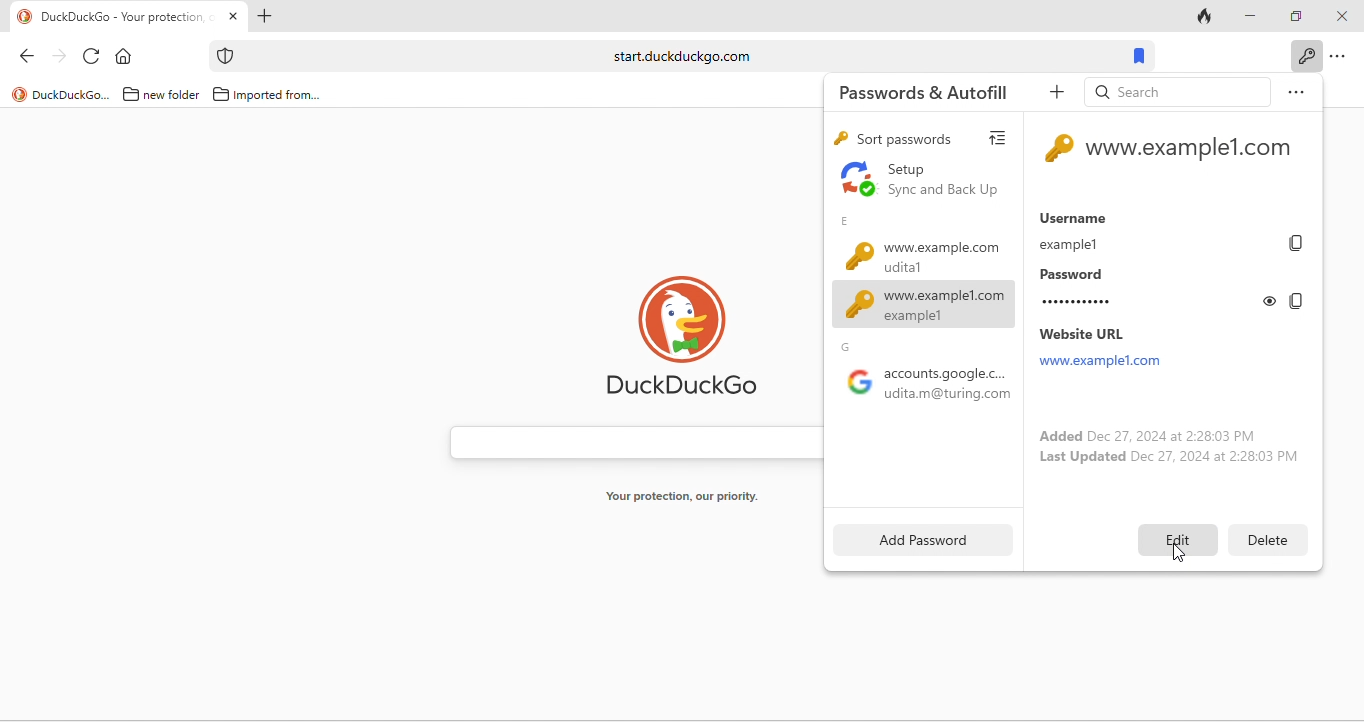  Describe the element at coordinates (1306, 55) in the screenshot. I see `key icon to show passwords and auto fills when clicked` at that location.